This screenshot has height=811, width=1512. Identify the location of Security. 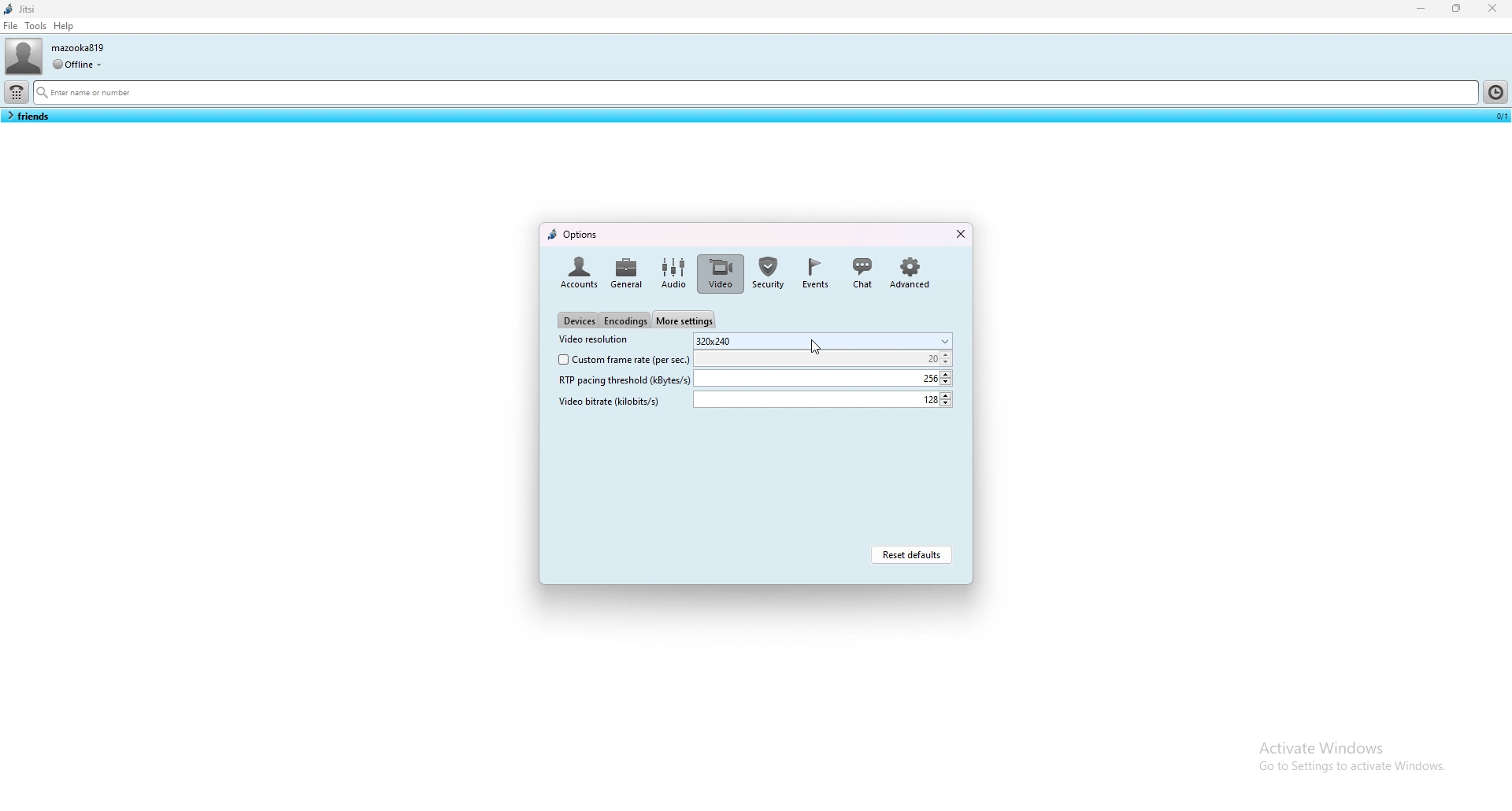
(769, 272).